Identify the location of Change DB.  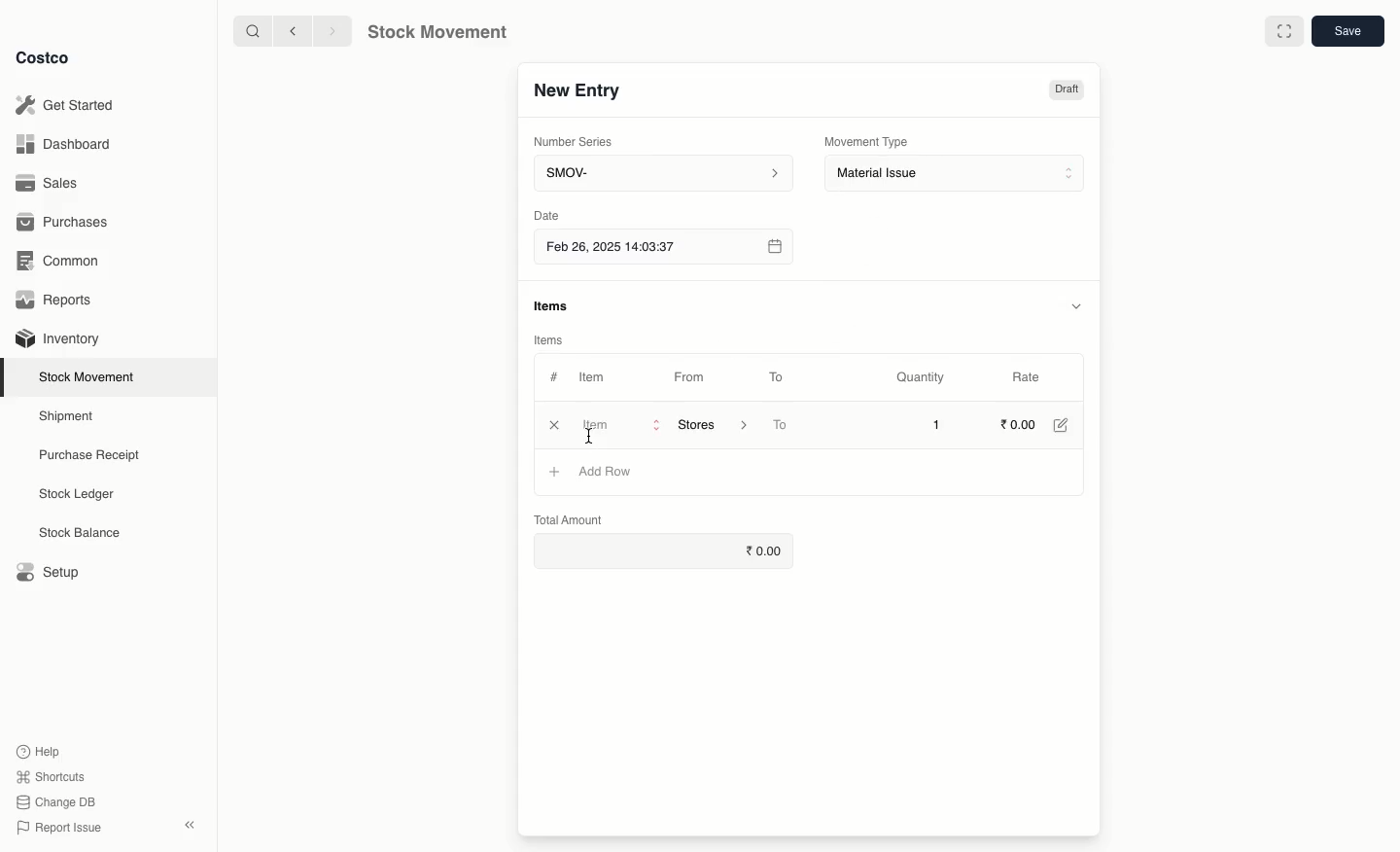
(56, 802).